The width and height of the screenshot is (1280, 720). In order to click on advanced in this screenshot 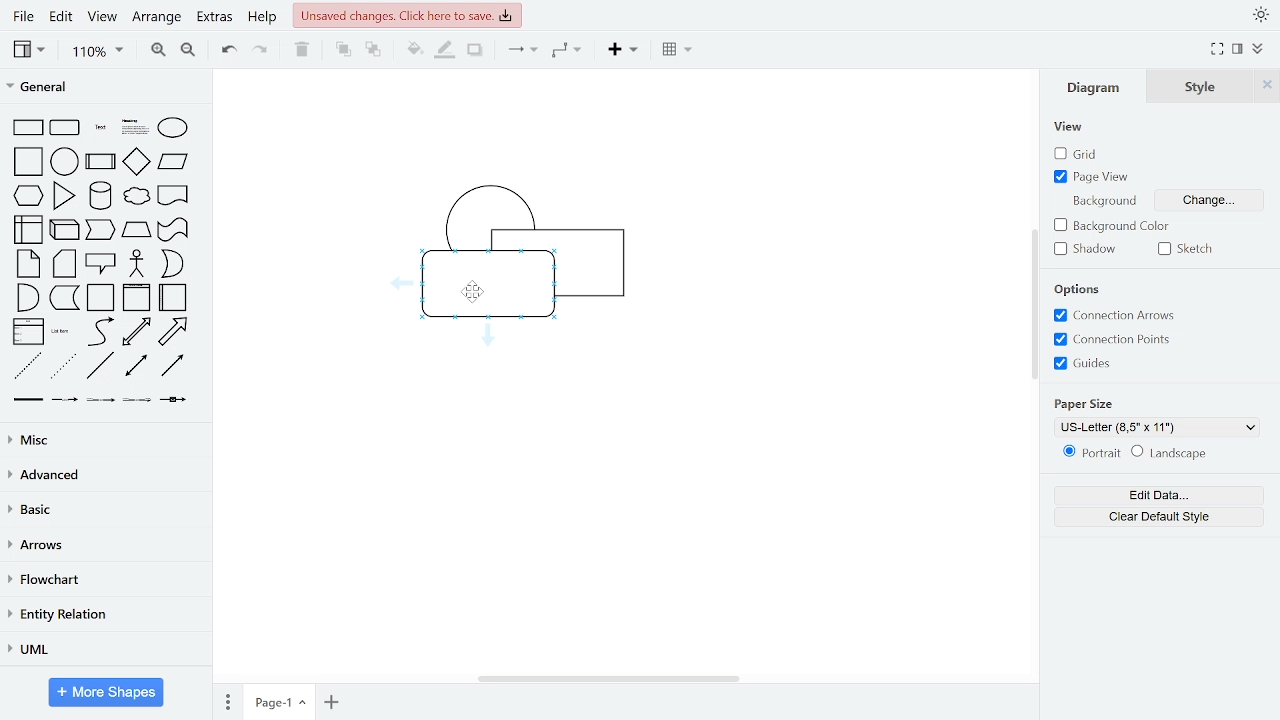, I will do `click(108, 472)`.